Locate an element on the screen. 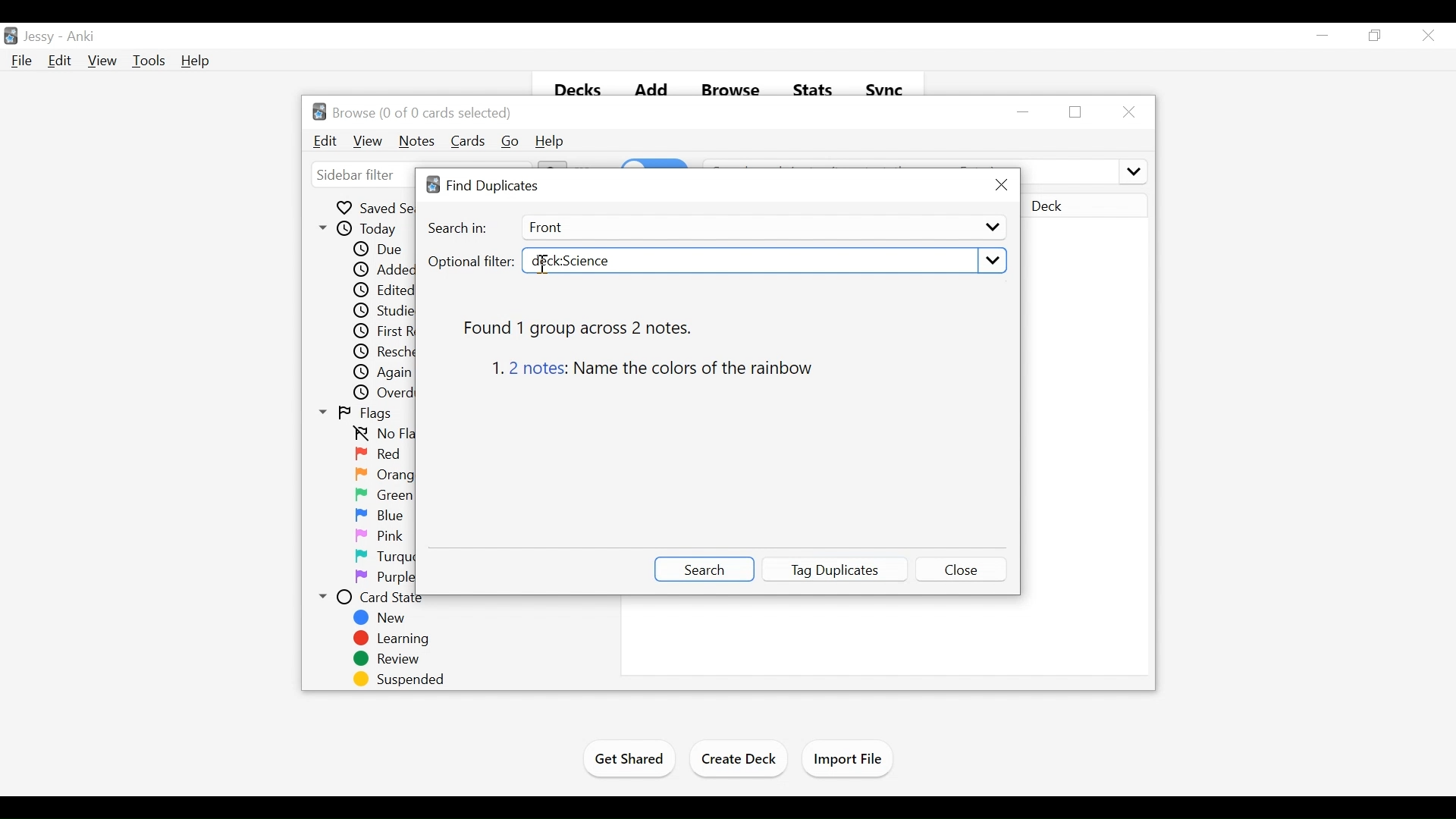  Rescheduled is located at coordinates (384, 352).